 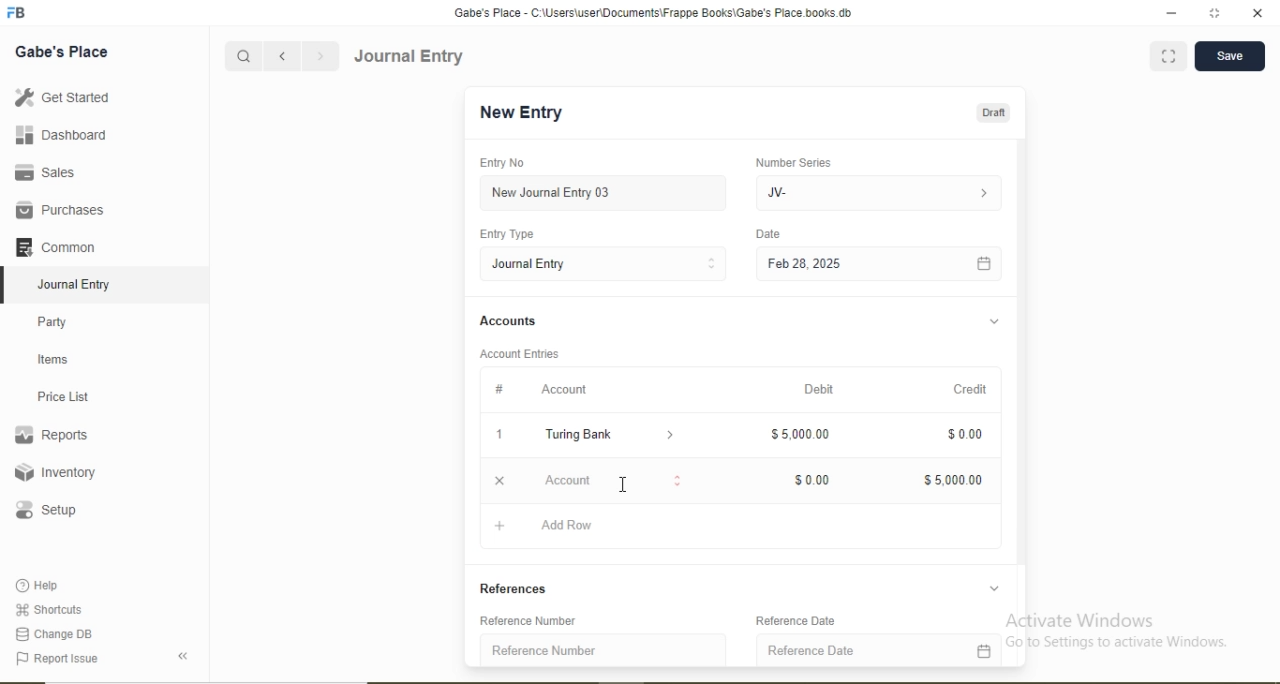 What do you see at coordinates (42, 172) in the screenshot?
I see `Sales` at bounding box center [42, 172].